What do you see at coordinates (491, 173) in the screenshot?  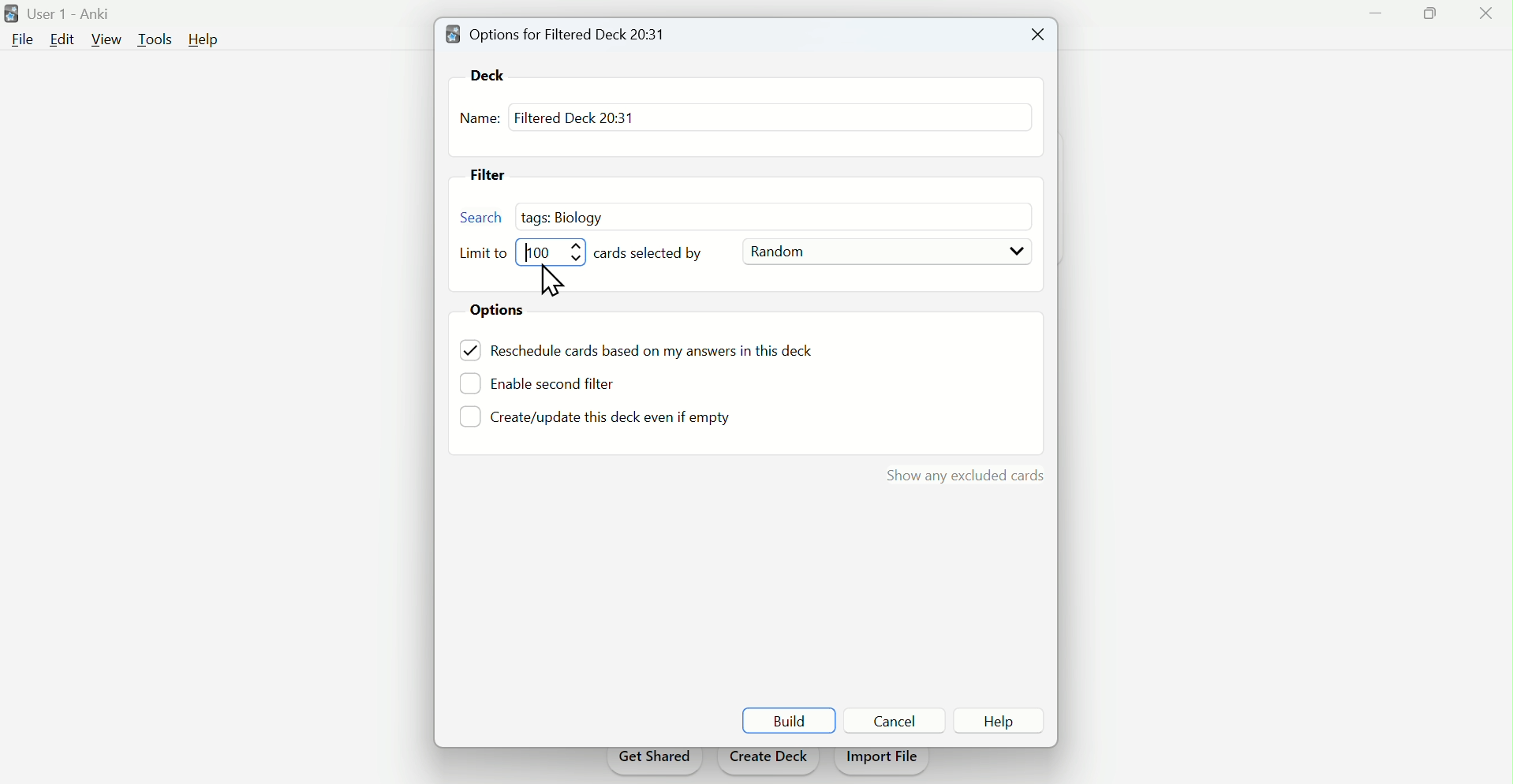 I see `Filter` at bounding box center [491, 173].